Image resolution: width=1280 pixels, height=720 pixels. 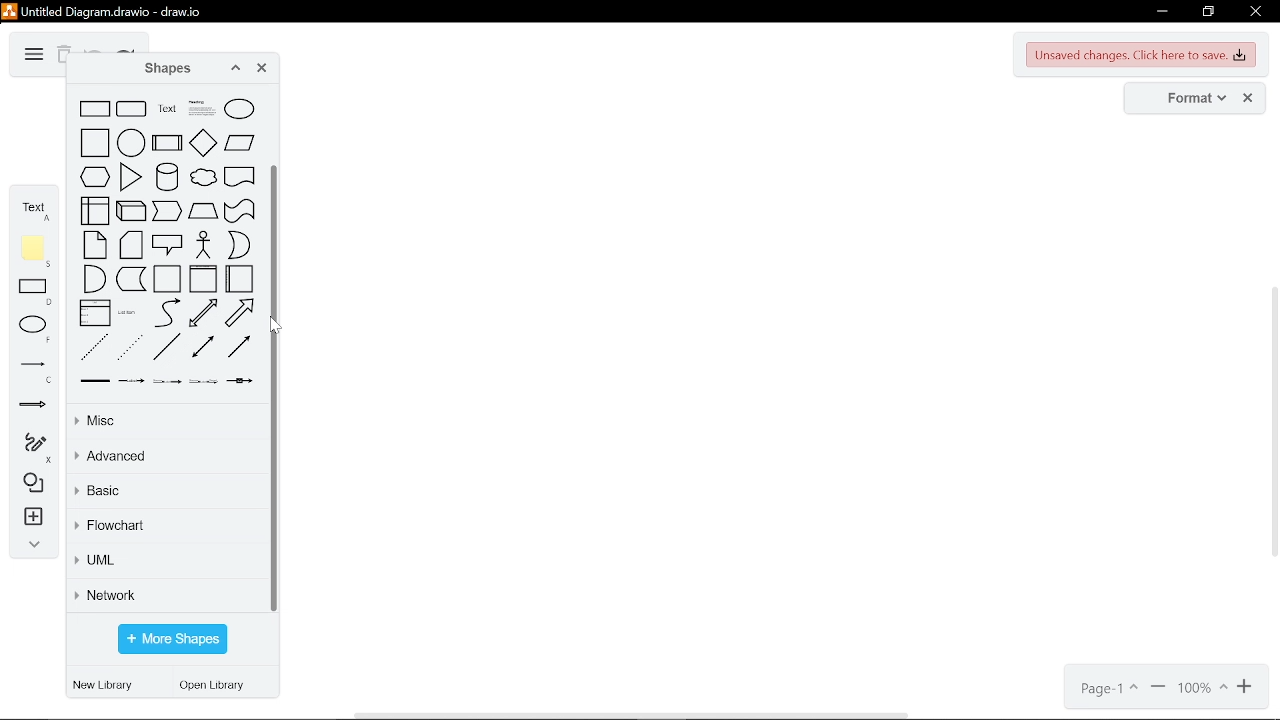 I want to click on callout, so click(x=168, y=244).